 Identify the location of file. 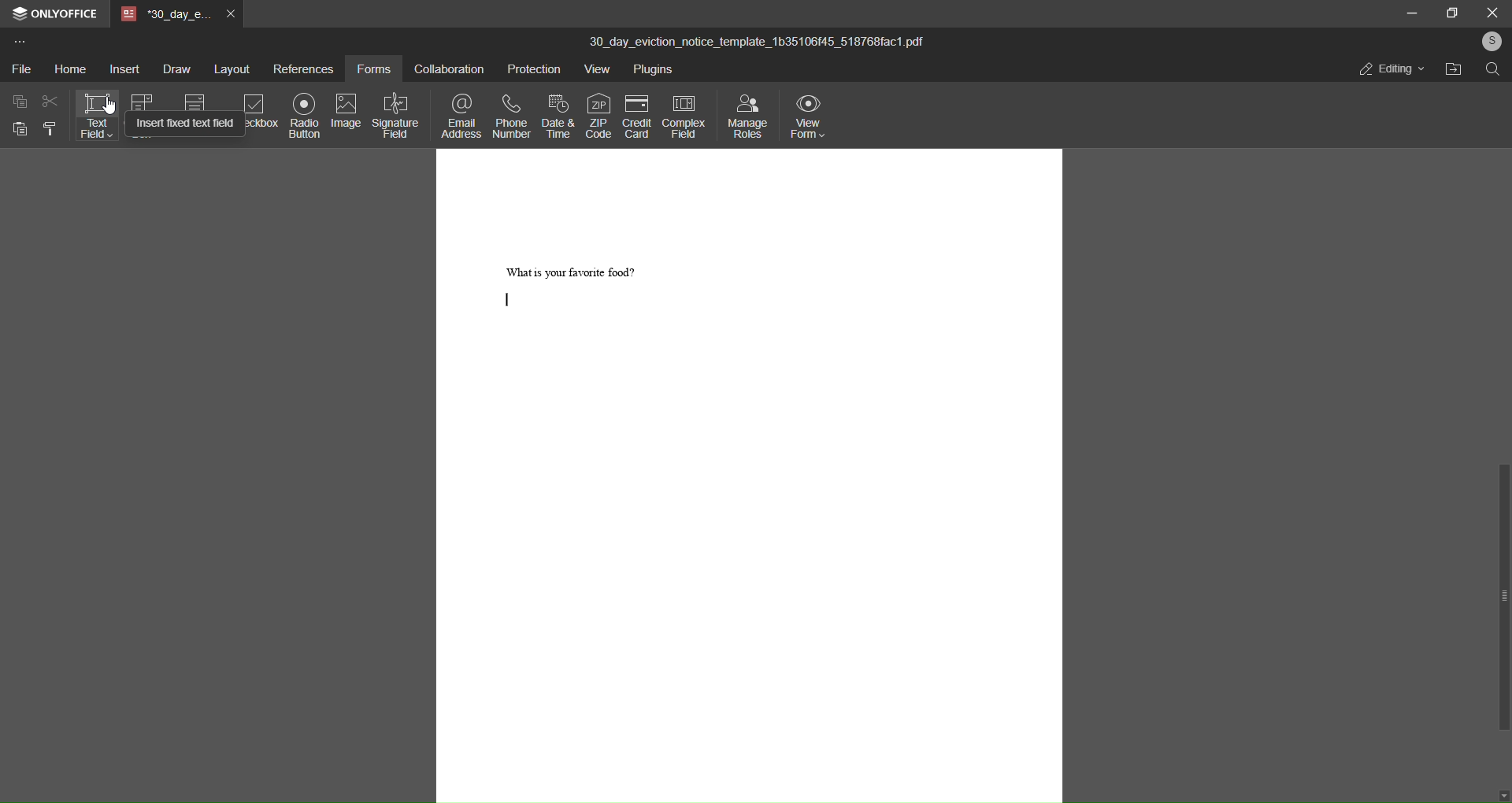
(21, 68).